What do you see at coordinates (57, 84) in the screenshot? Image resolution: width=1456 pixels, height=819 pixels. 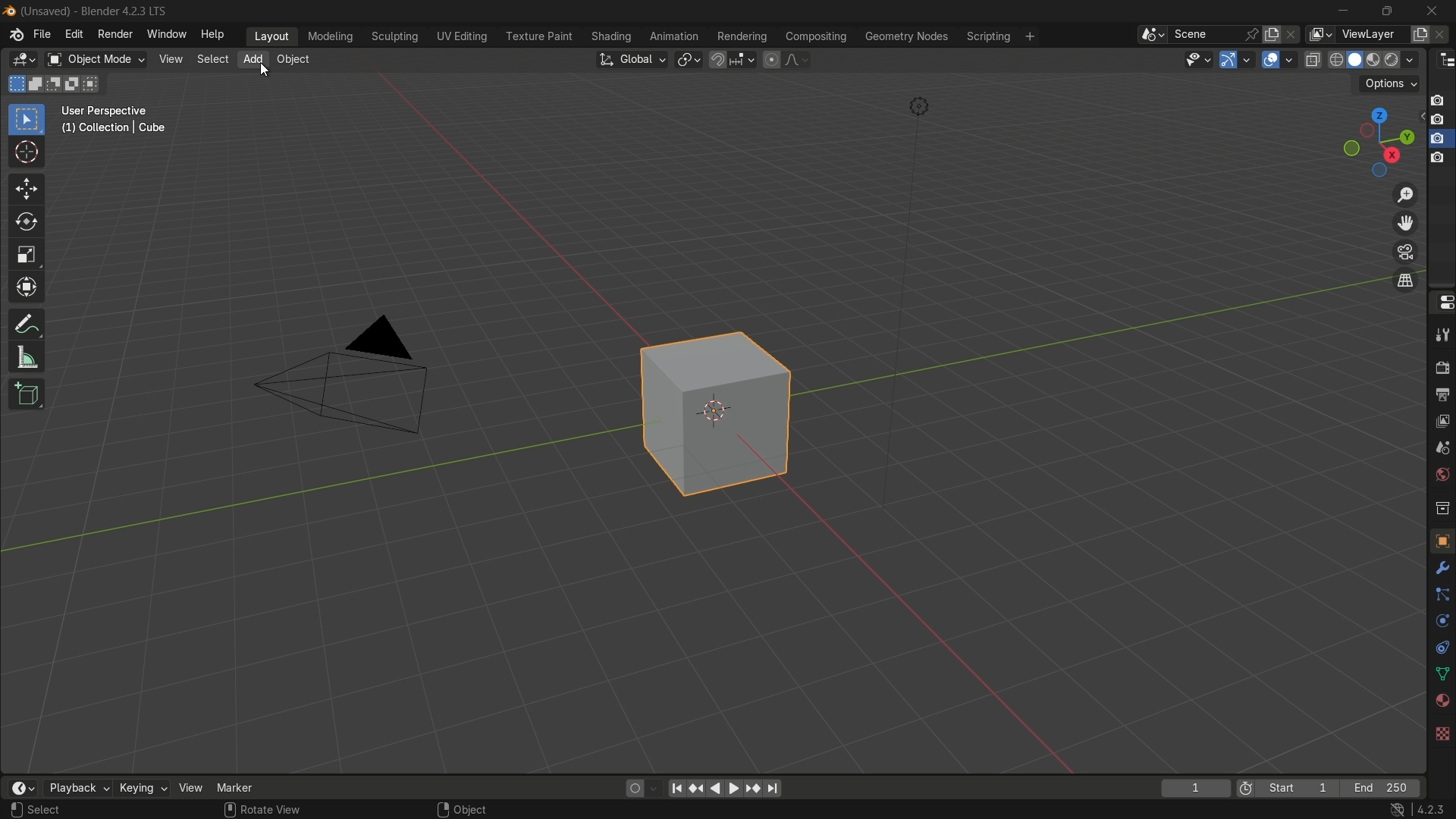 I see `subtract existing selection` at bounding box center [57, 84].